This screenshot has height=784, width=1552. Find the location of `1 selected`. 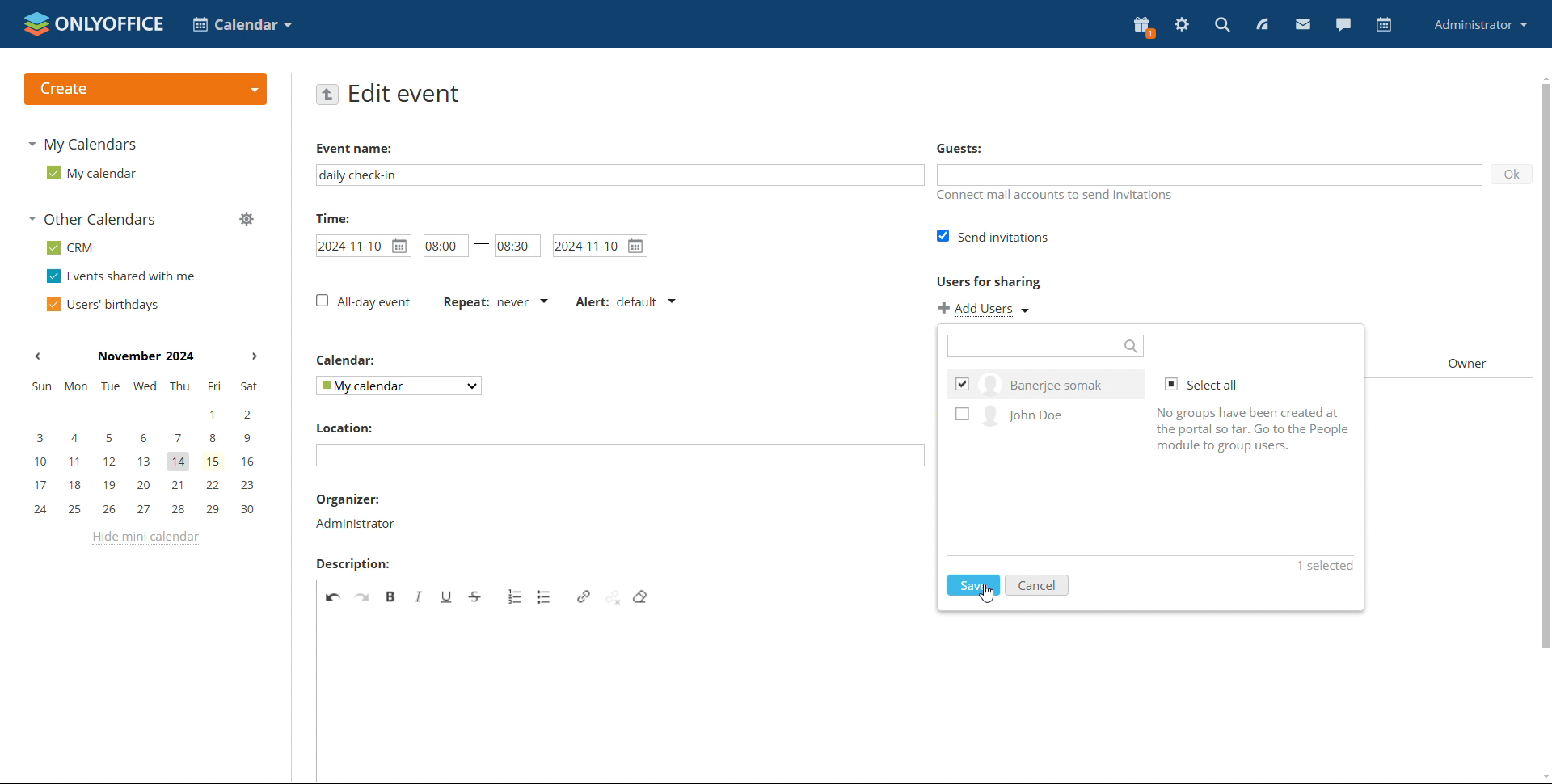

1 selected is located at coordinates (1321, 566).